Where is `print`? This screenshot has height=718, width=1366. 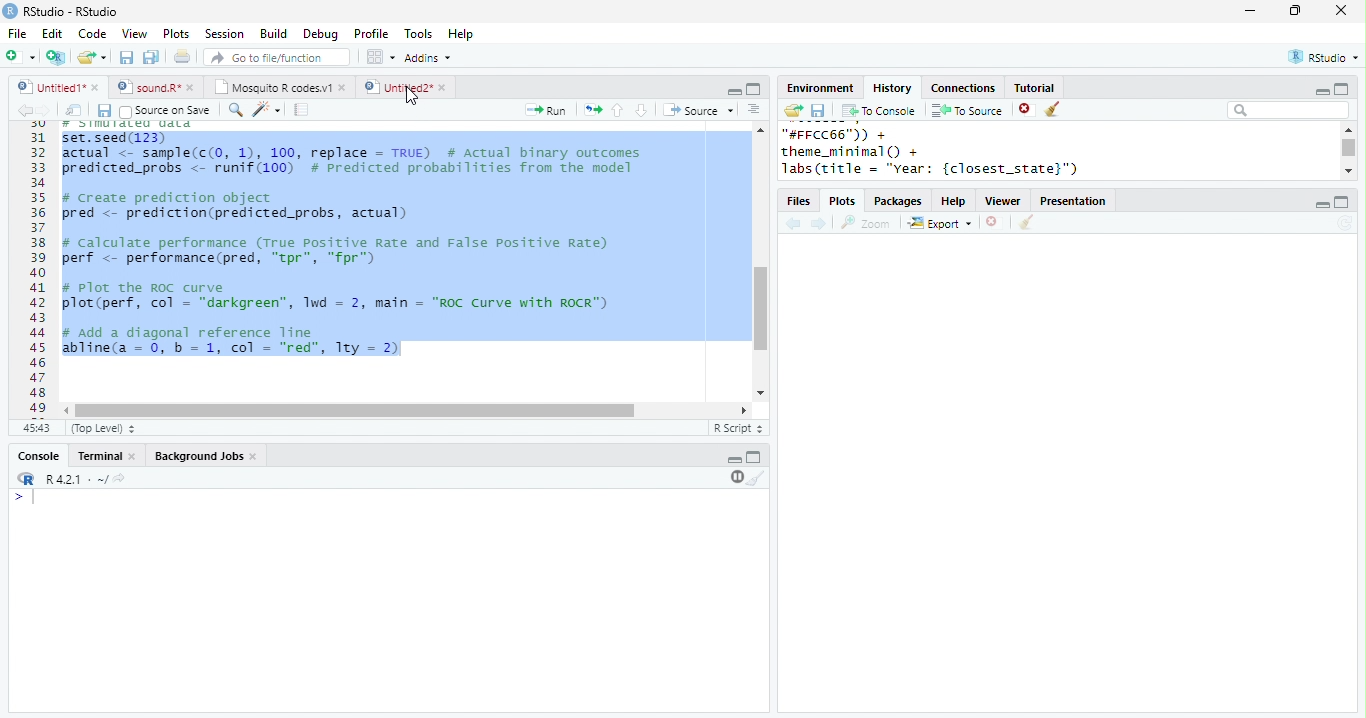
print is located at coordinates (183, 56).